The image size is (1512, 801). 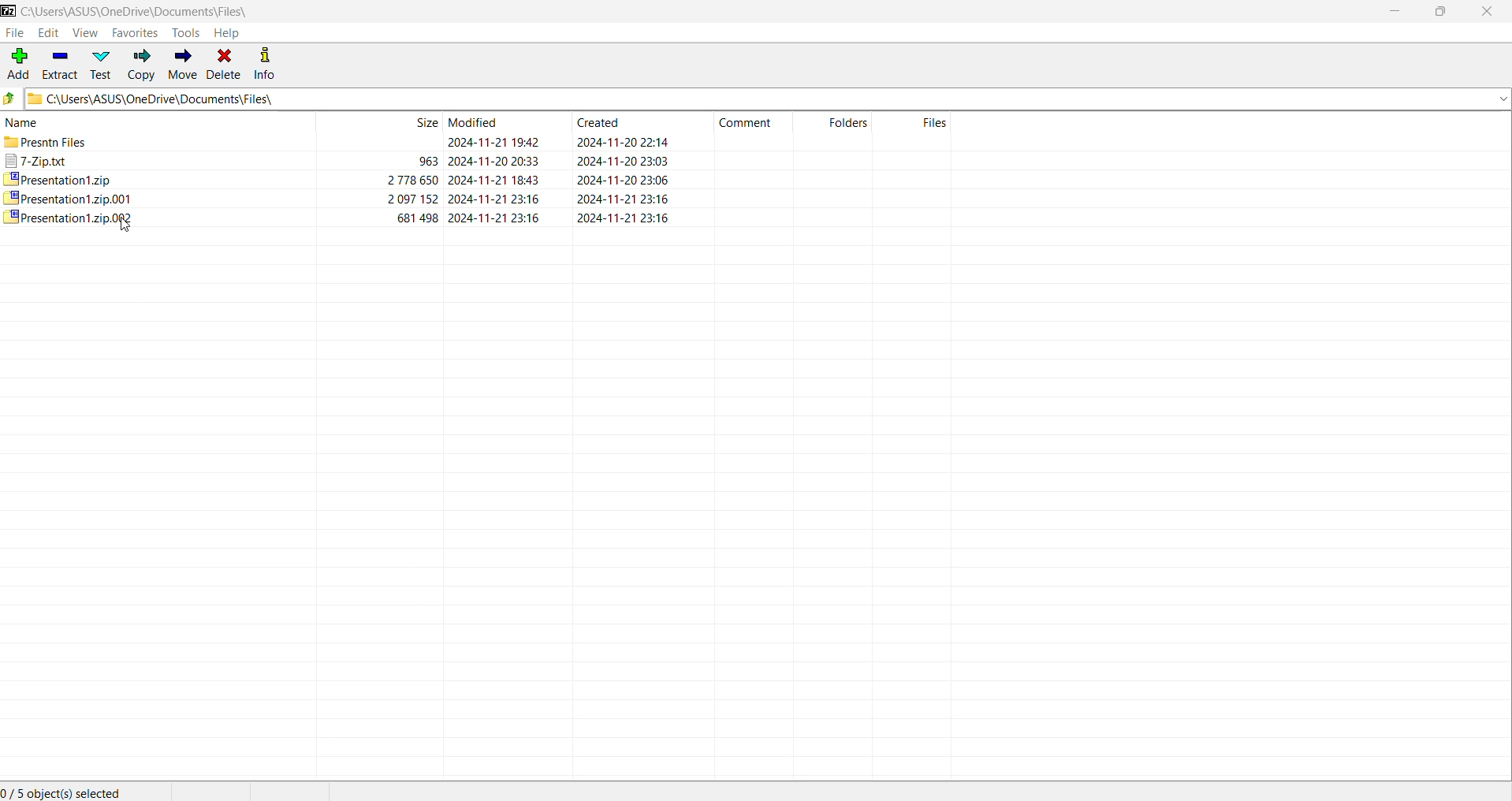 I want to click on Created, so click(x=631, y=121).